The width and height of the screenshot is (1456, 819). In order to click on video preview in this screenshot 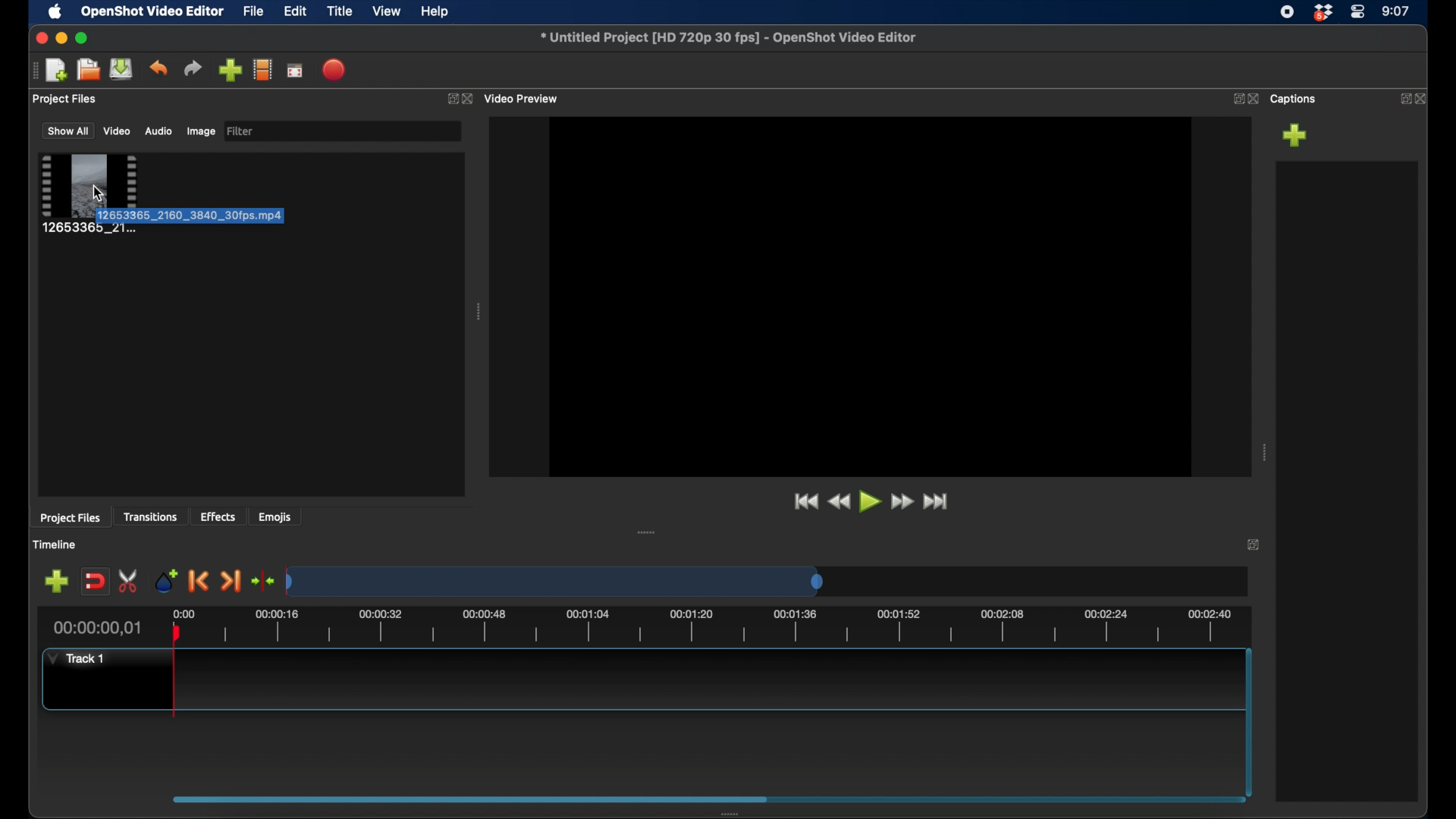, I will do `click(869, 297)`.